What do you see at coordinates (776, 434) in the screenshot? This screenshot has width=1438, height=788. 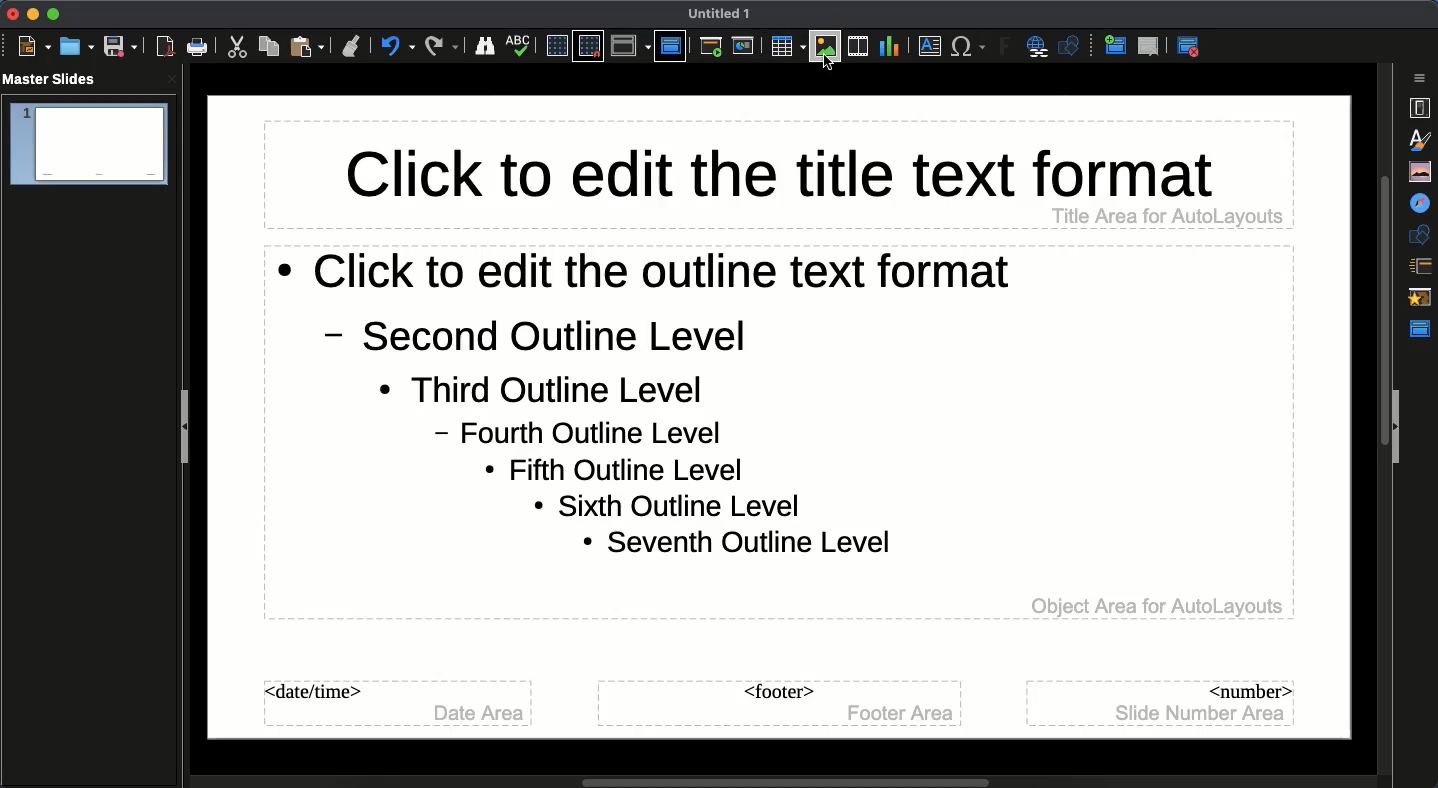 I see `Master slide text` at bounding box center [776, 434].